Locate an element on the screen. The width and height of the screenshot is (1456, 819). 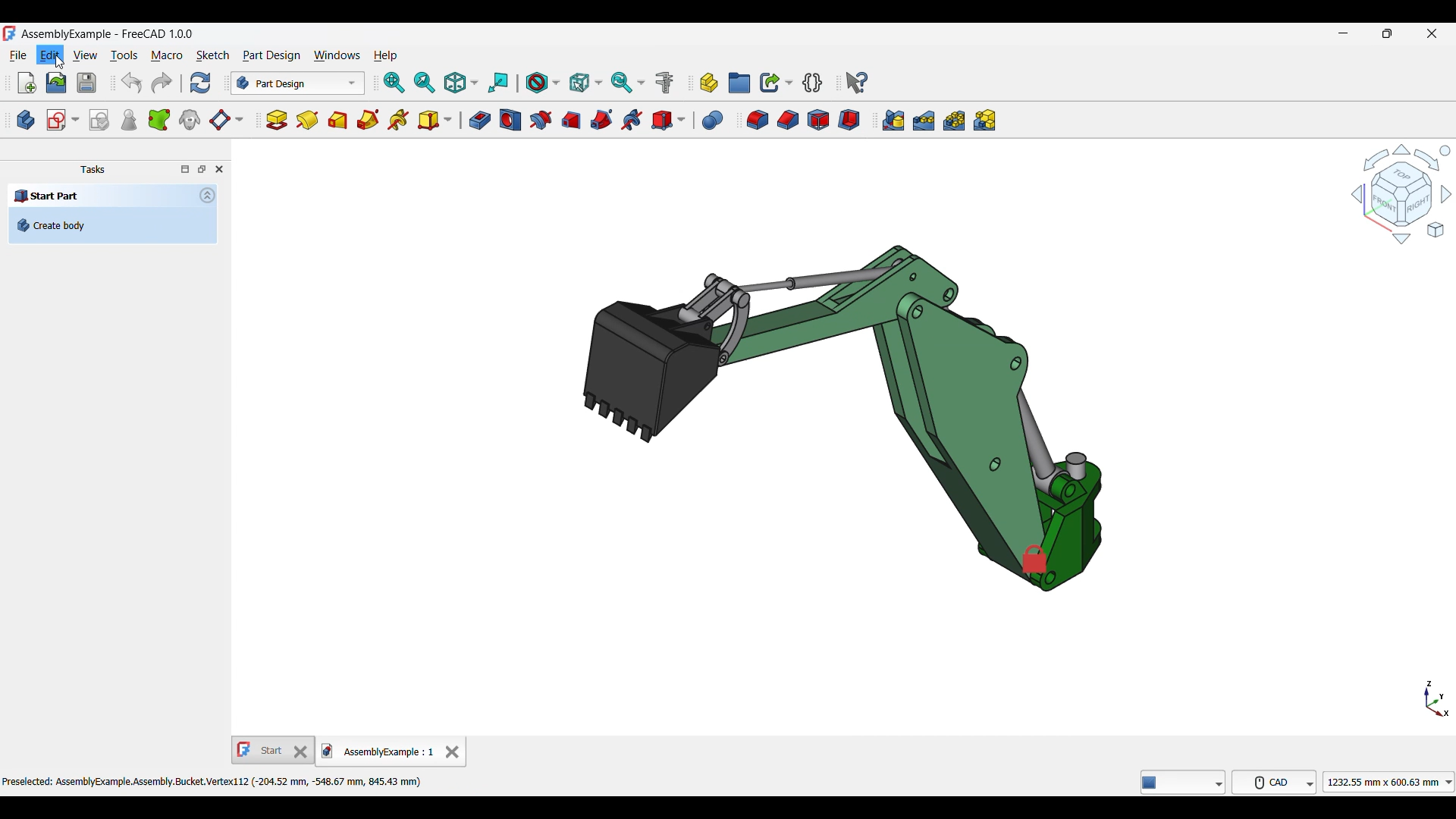
Thickness is located at coordinates (849, 120).